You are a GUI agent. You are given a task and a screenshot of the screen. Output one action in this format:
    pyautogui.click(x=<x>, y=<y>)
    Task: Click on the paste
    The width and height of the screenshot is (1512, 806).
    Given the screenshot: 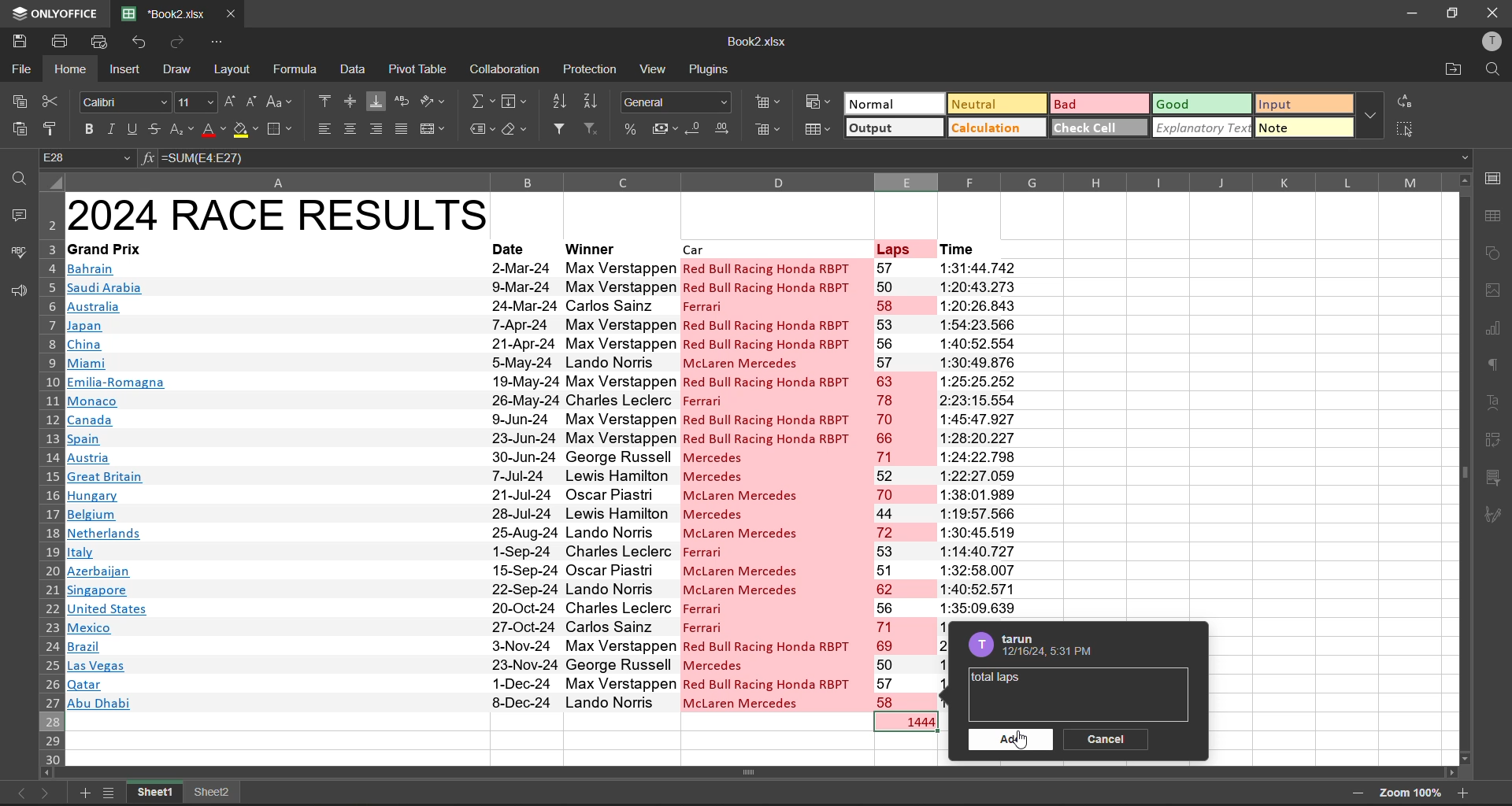 What is the action you would take?
    pyautogui.click(x=19, y=125)
    